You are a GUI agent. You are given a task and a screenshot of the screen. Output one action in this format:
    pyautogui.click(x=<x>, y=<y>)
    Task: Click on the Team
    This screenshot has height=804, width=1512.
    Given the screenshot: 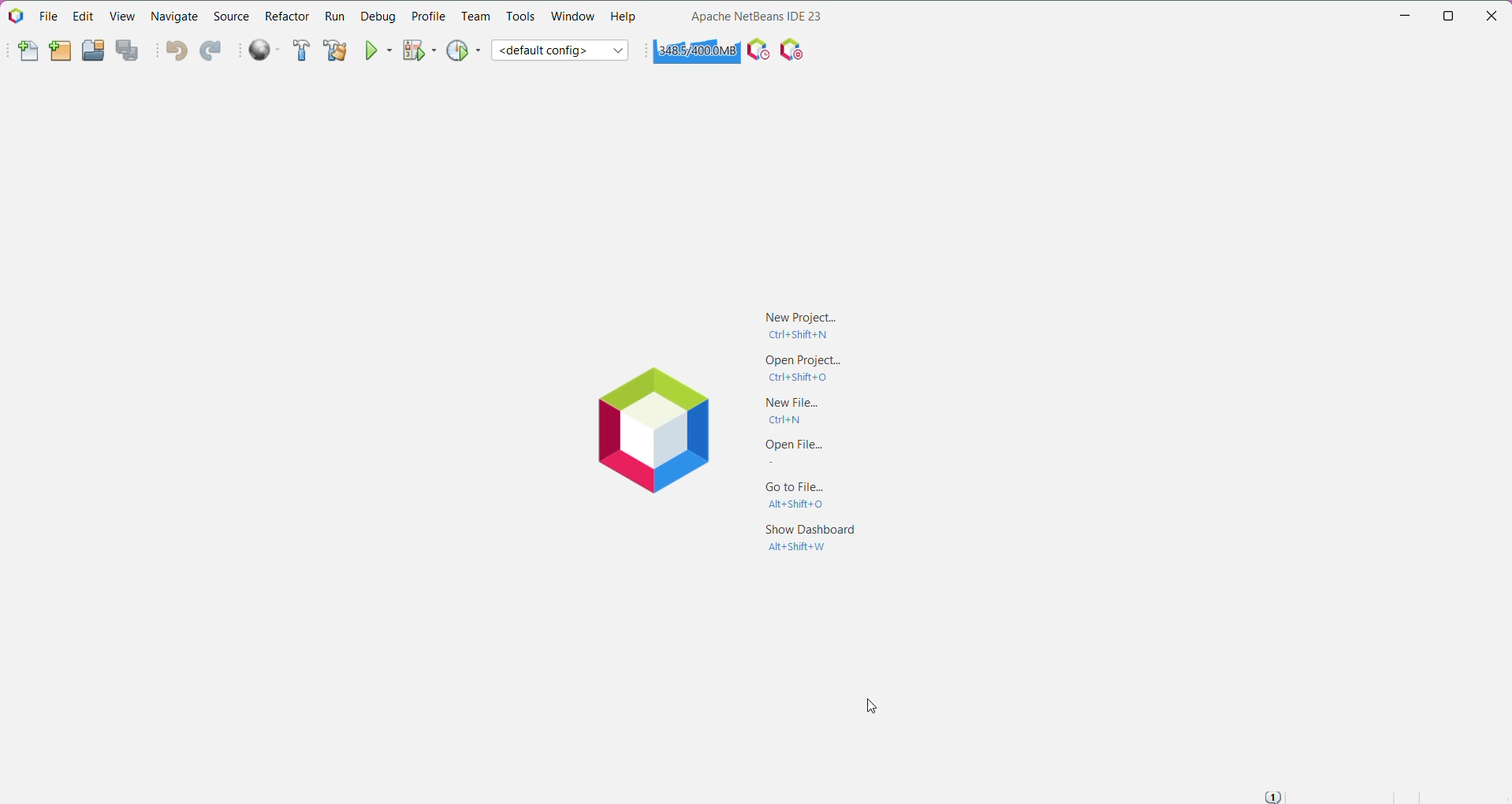 What is the action you would take?
    pyautogui.click(x=475, y=17)
    